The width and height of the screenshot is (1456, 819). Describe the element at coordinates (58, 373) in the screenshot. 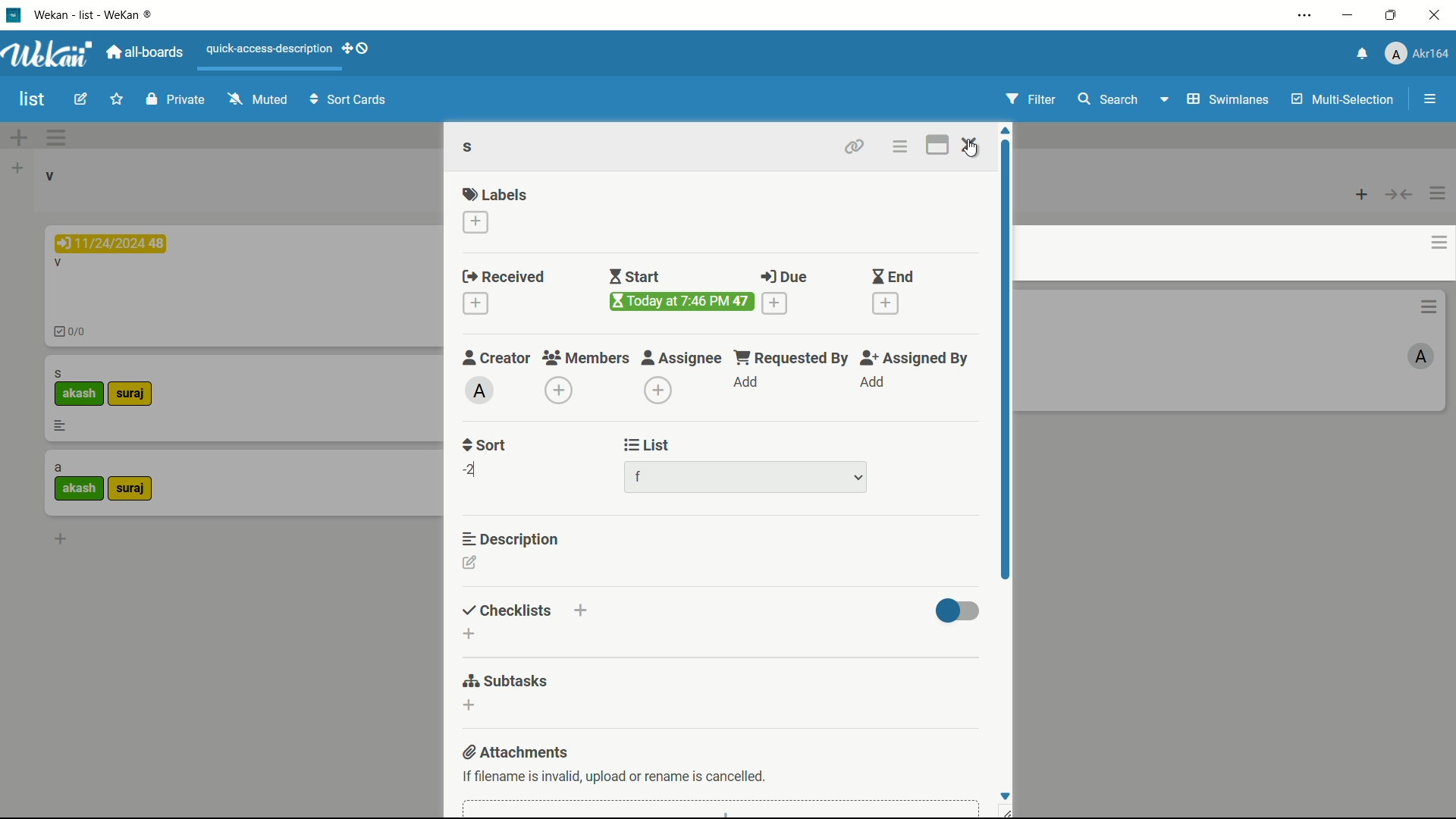

I see `card name` at that location.